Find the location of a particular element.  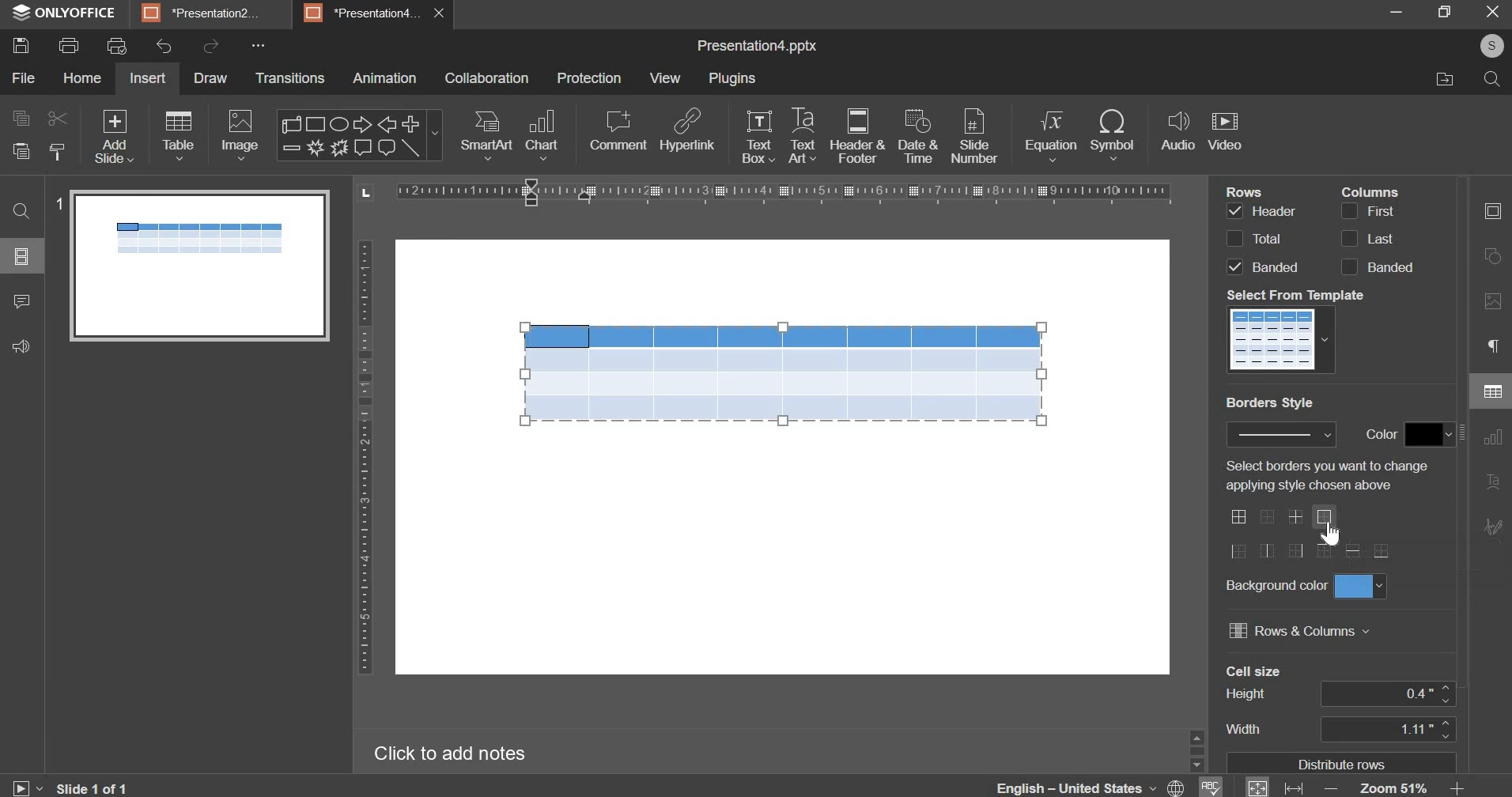

animation is located at coordinates (385, 77).